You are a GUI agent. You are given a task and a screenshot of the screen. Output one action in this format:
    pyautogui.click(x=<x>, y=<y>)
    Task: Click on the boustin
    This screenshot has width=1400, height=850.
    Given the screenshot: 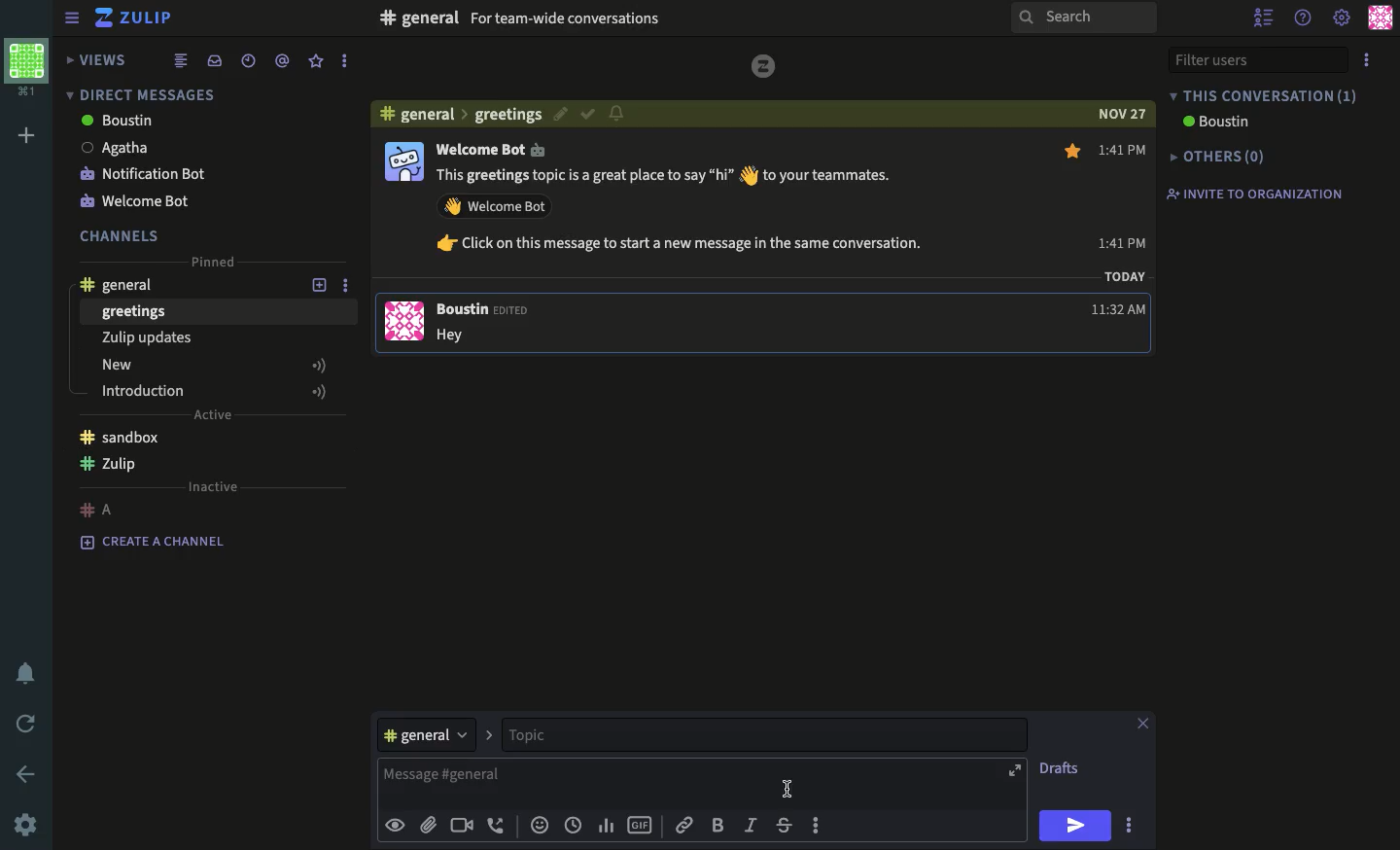 What is the action you would take?
    pyautogui.click(x=117, y=122)
    